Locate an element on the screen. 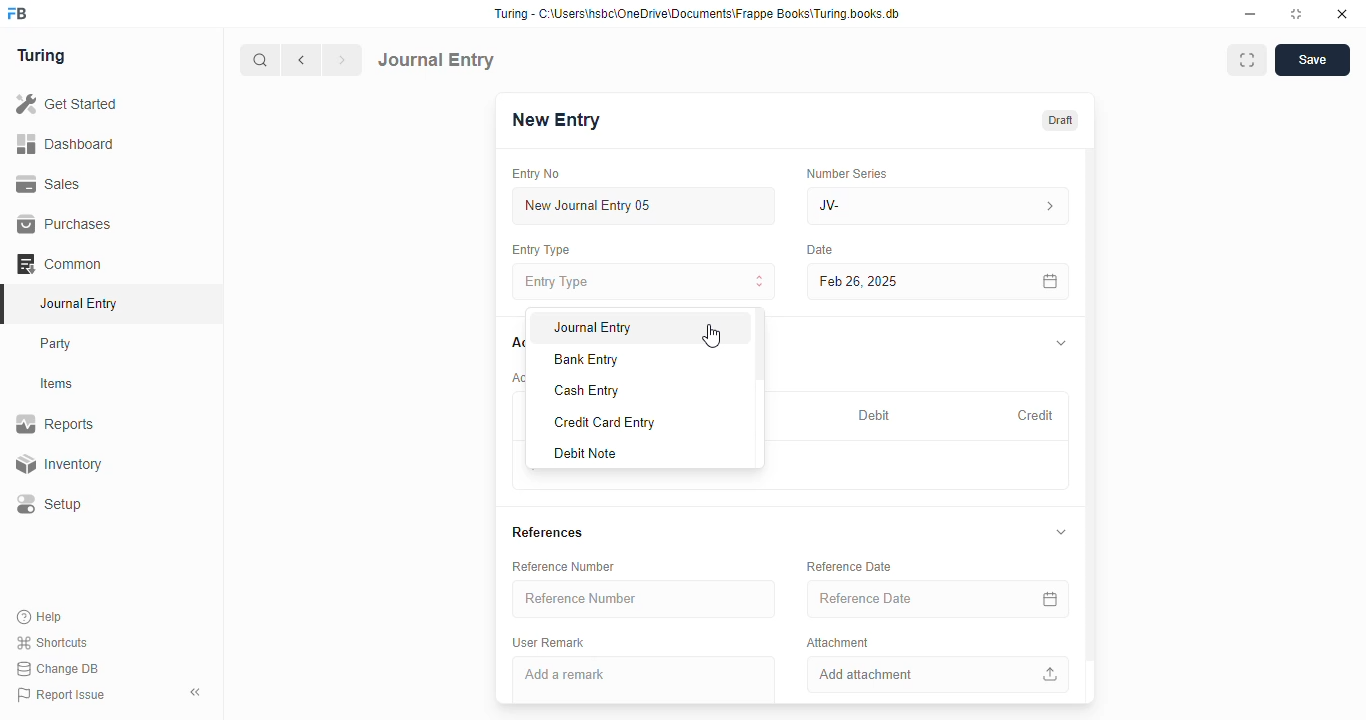 This screenshot has height=720, width=1366. Turing - C:\Users\hsbc\OneDrive\Documents\Frappe Books\Turing books.db is located at coordinates (696, 14).